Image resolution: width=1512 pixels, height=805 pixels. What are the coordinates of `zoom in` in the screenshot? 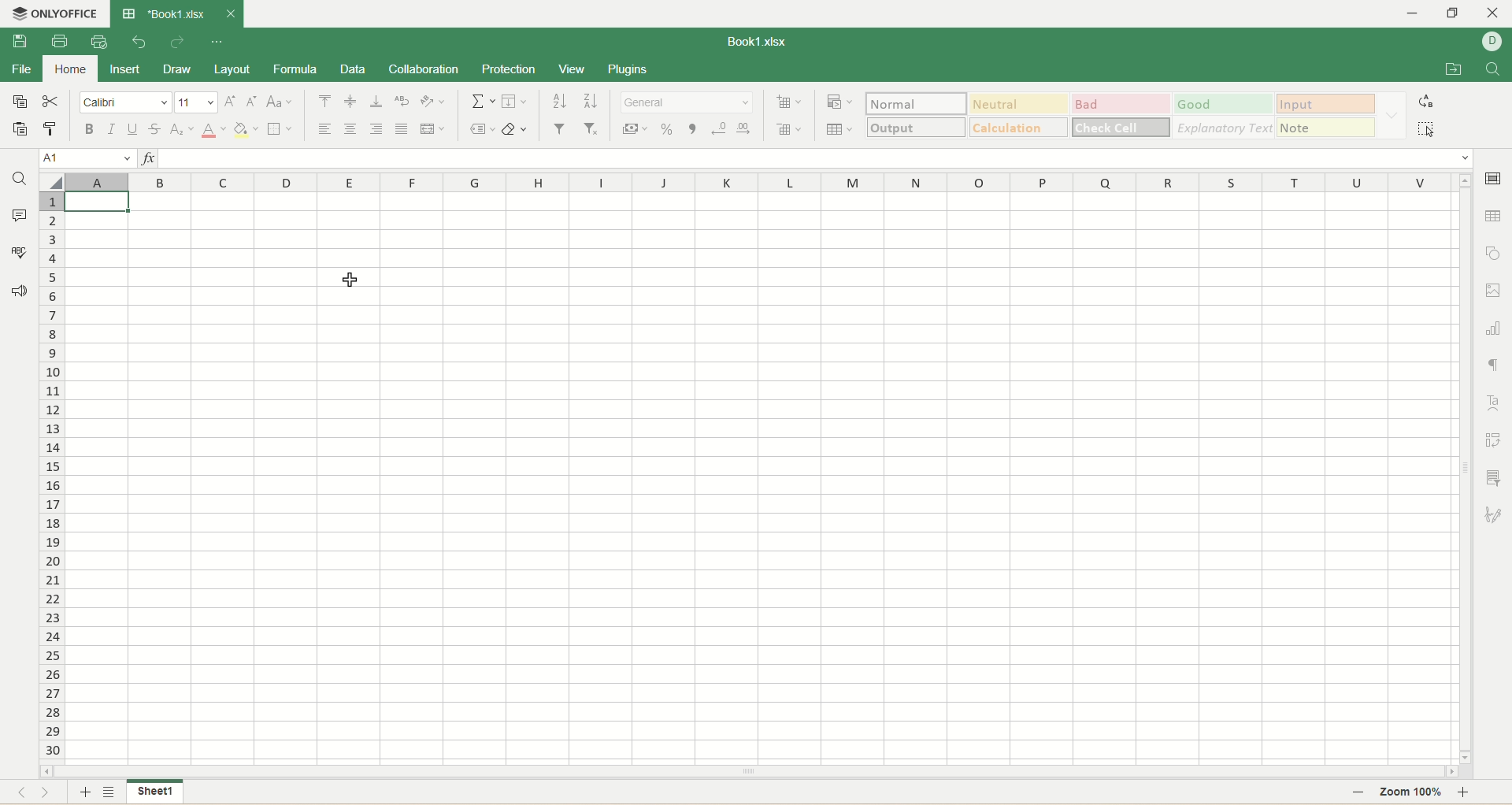 It's located at (1469, 793).